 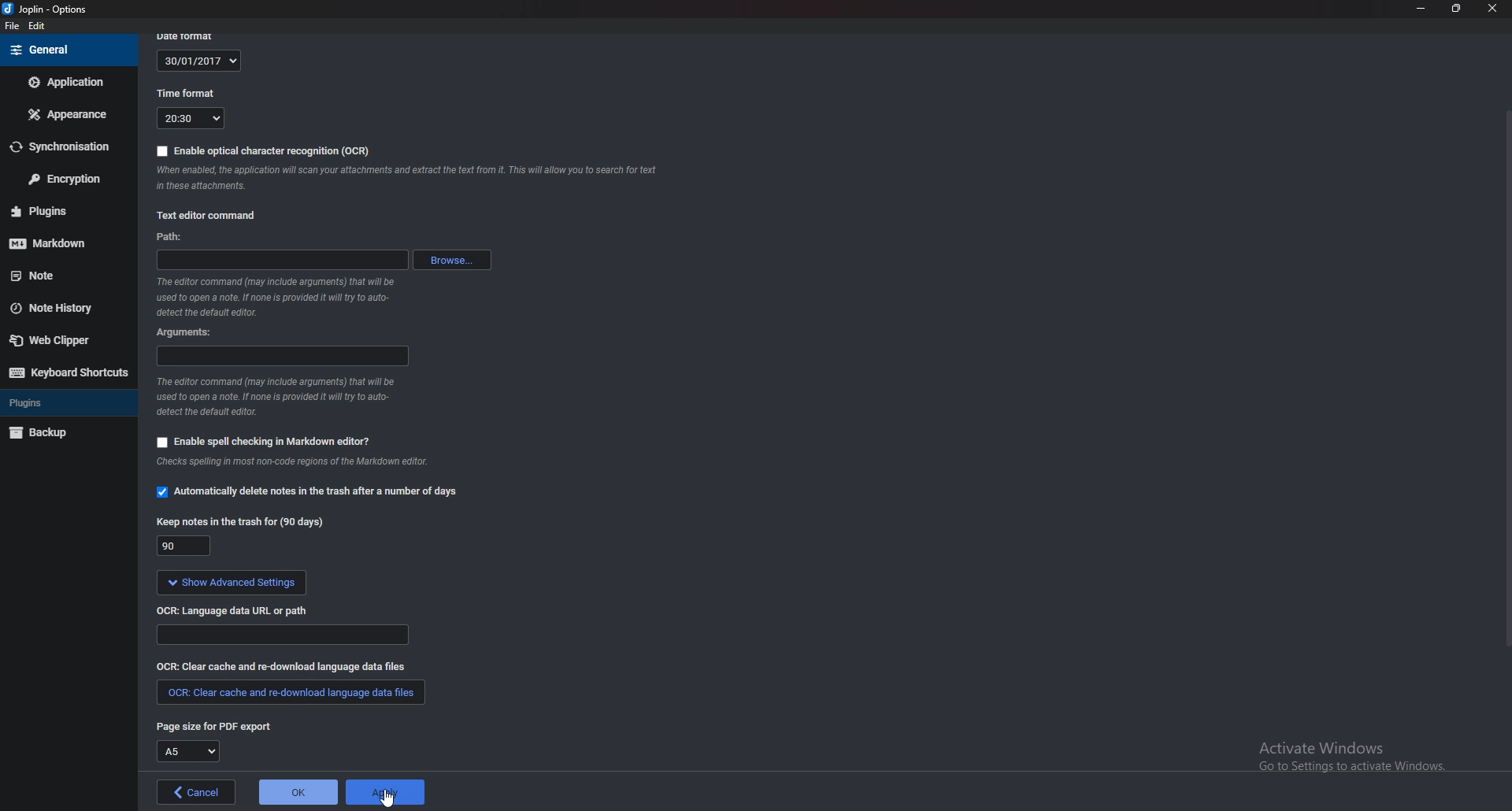 I want to click on Note history, so click(x=66, y=306).